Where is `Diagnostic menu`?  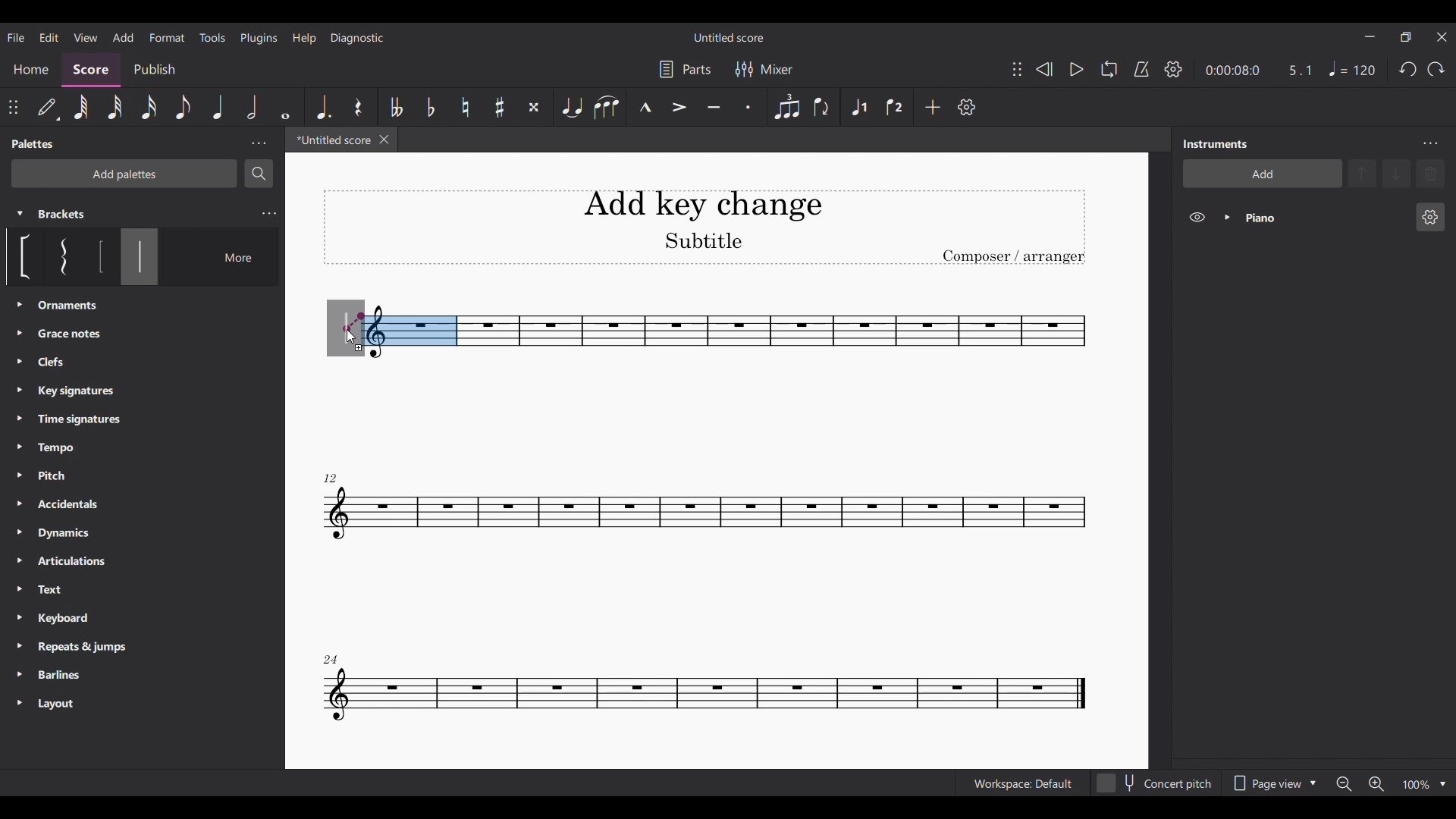
Diagnostic menu is located at coordinates (358, 39).